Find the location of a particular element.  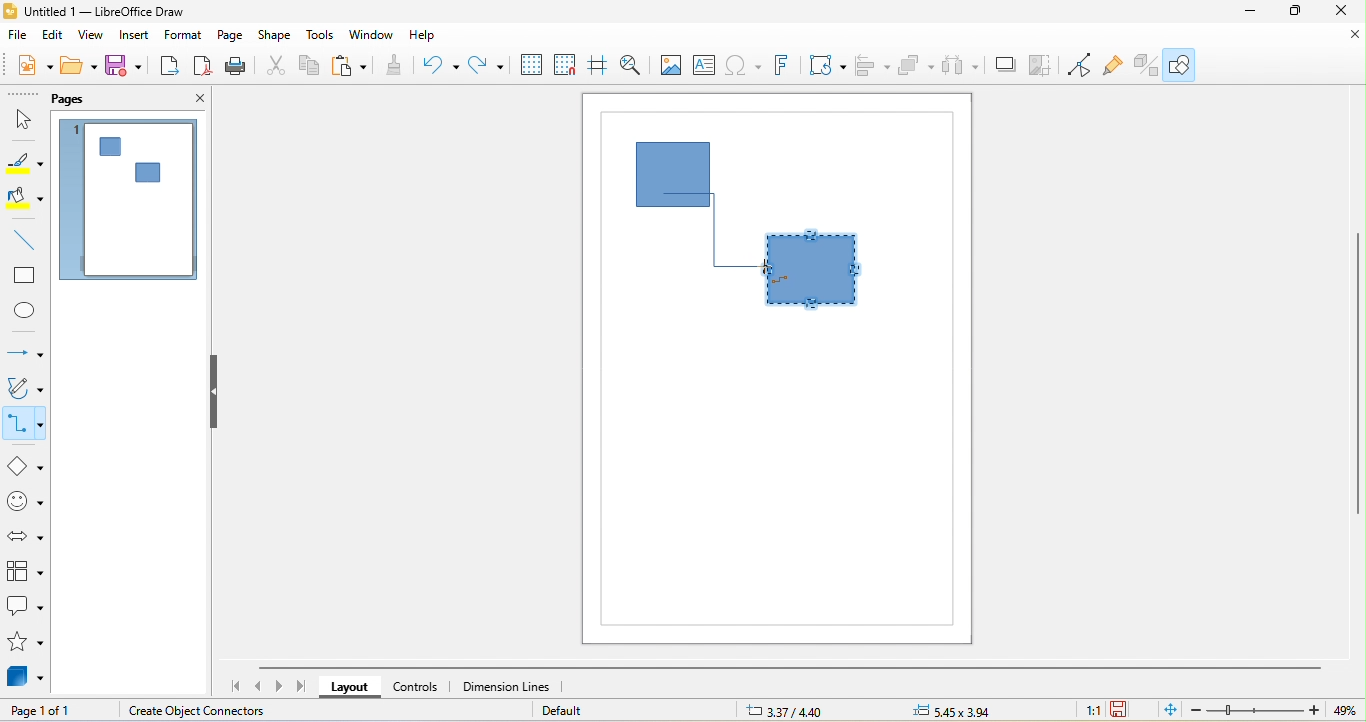

tools is located at coordinates (323, 36).